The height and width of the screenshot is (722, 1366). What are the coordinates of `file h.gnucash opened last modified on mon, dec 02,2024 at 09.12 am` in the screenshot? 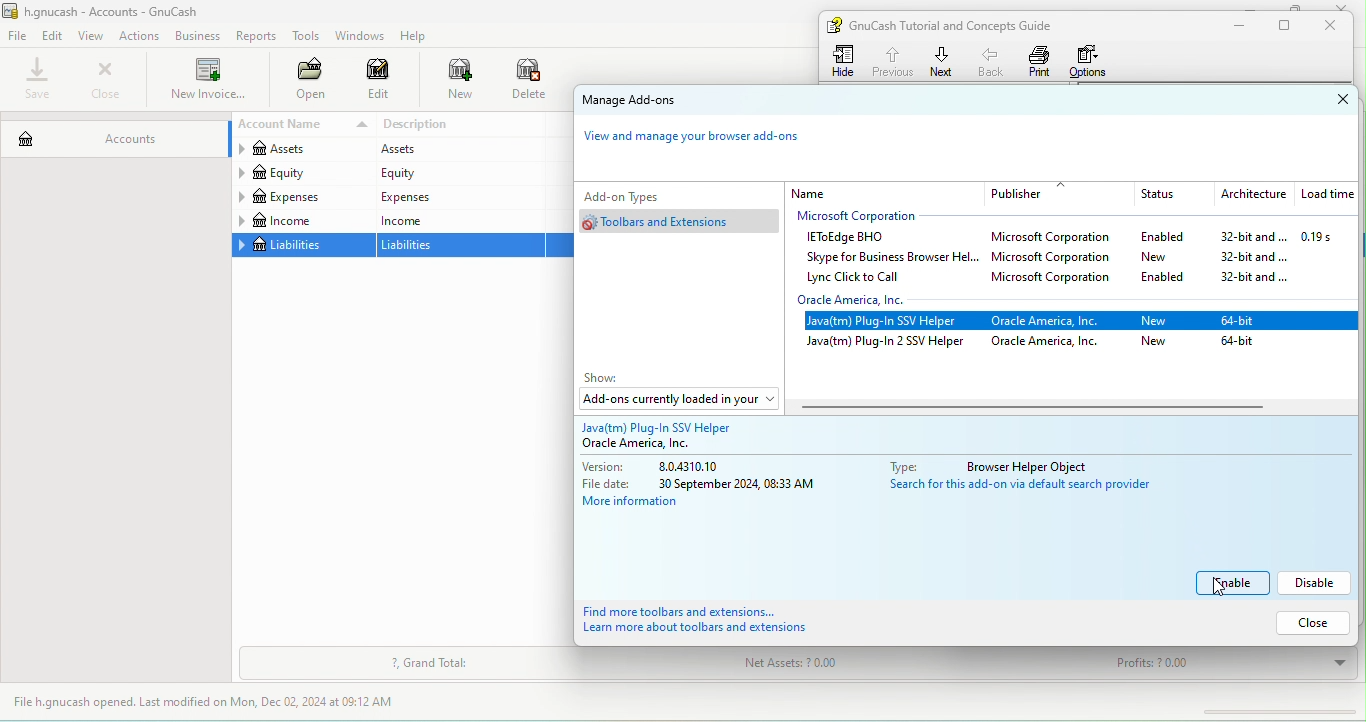 It's located at (219, 703).